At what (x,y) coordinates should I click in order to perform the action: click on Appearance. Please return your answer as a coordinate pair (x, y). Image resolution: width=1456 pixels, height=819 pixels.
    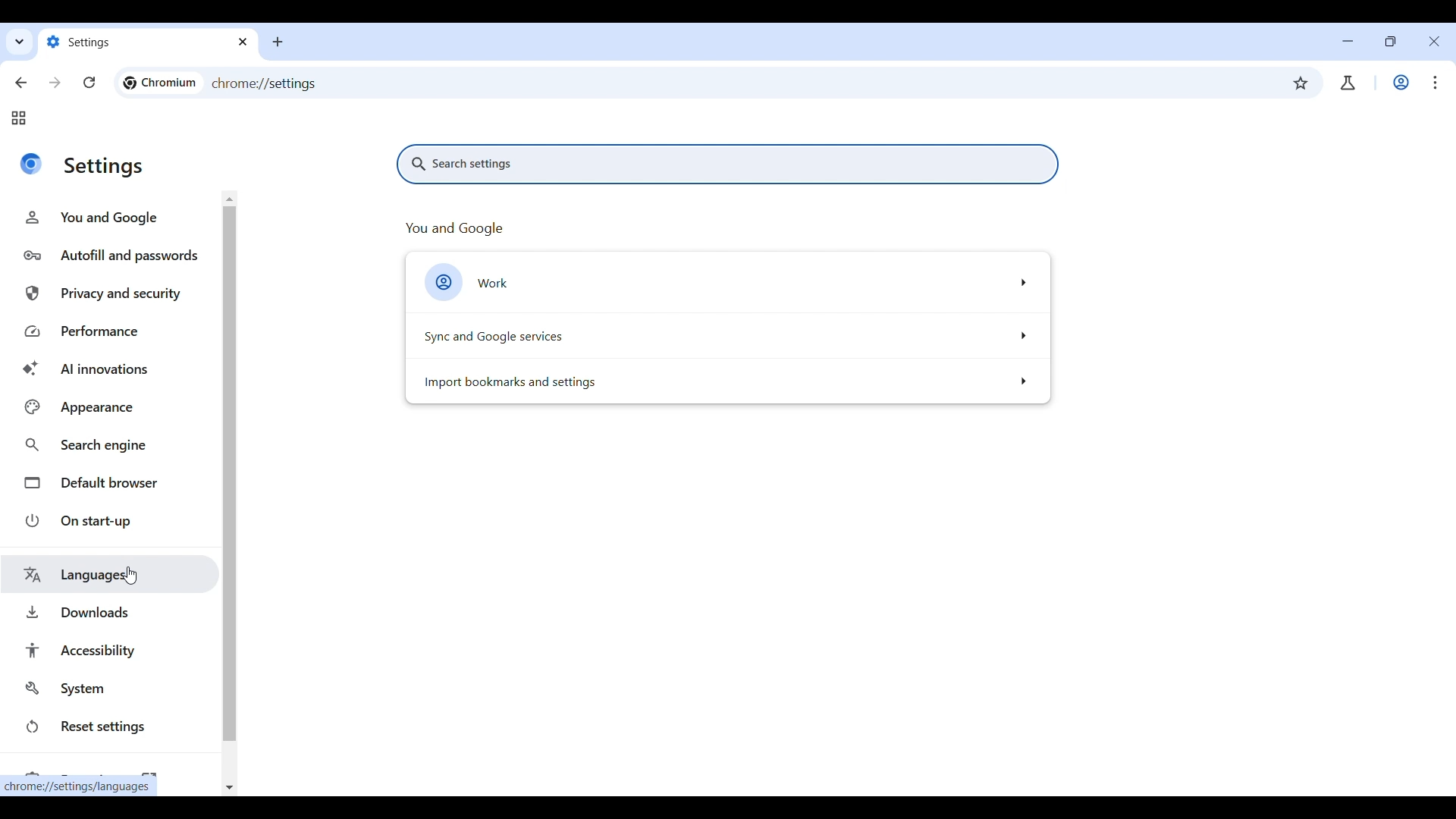
    Looking at the image, I should click on (111, 406).